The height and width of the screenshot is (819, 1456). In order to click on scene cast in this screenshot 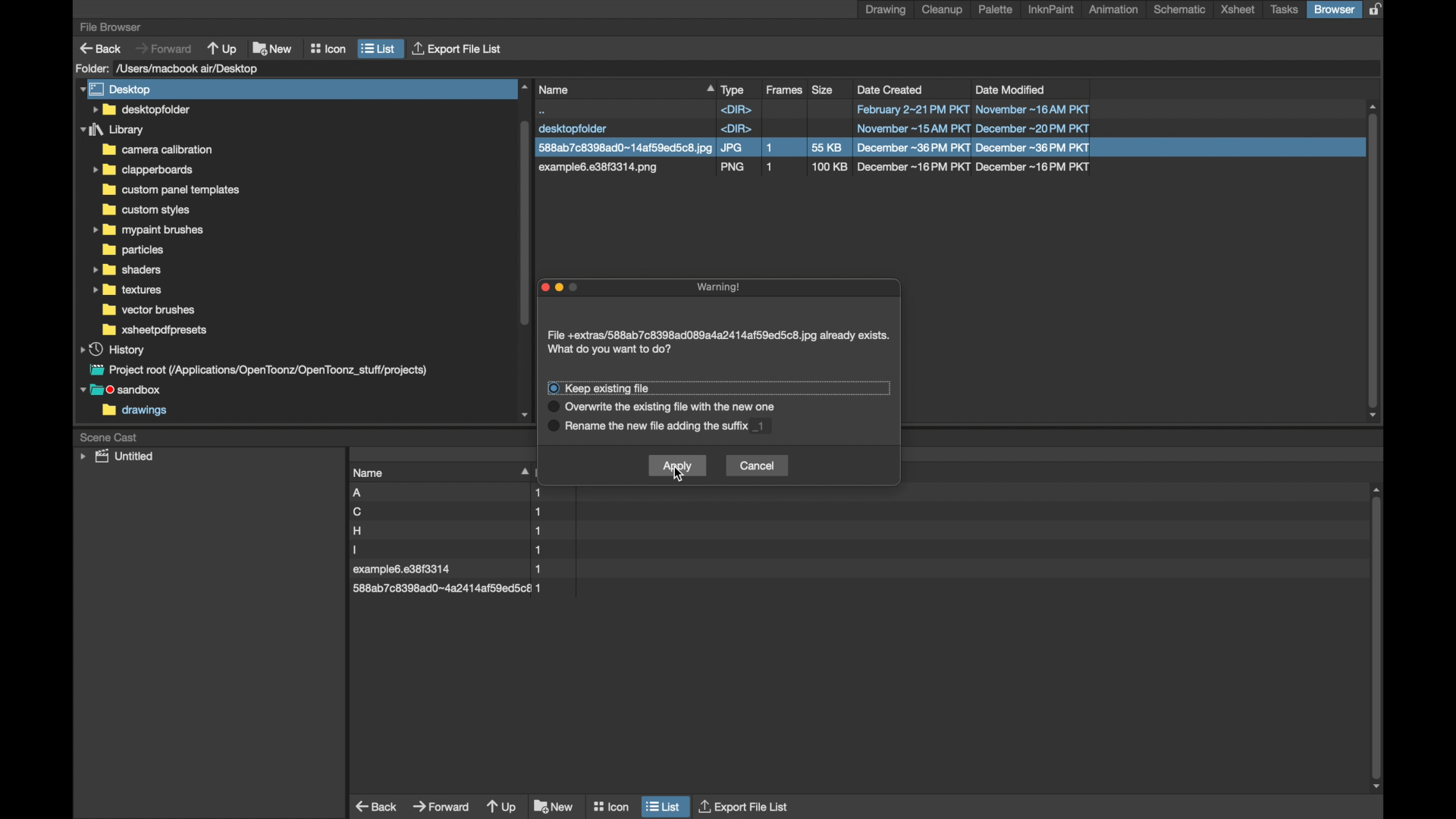, I will do `click(109, 436)`.